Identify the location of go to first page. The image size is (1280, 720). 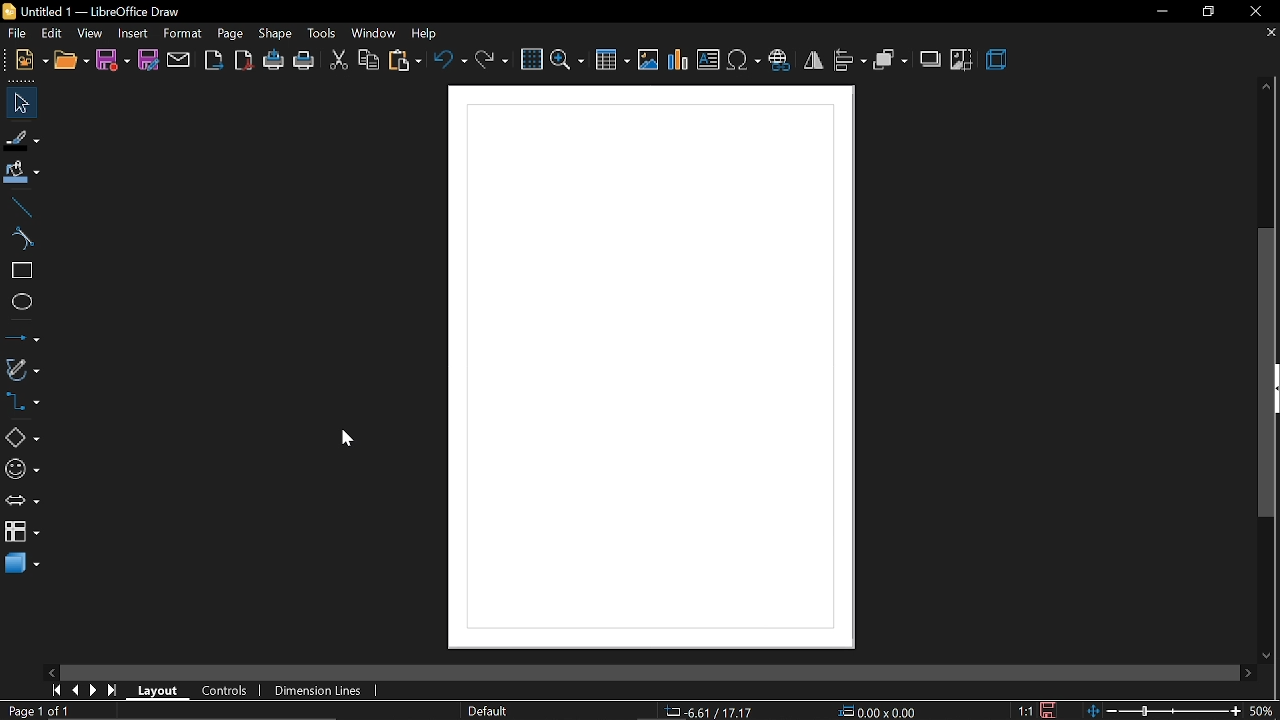
(55, 690).